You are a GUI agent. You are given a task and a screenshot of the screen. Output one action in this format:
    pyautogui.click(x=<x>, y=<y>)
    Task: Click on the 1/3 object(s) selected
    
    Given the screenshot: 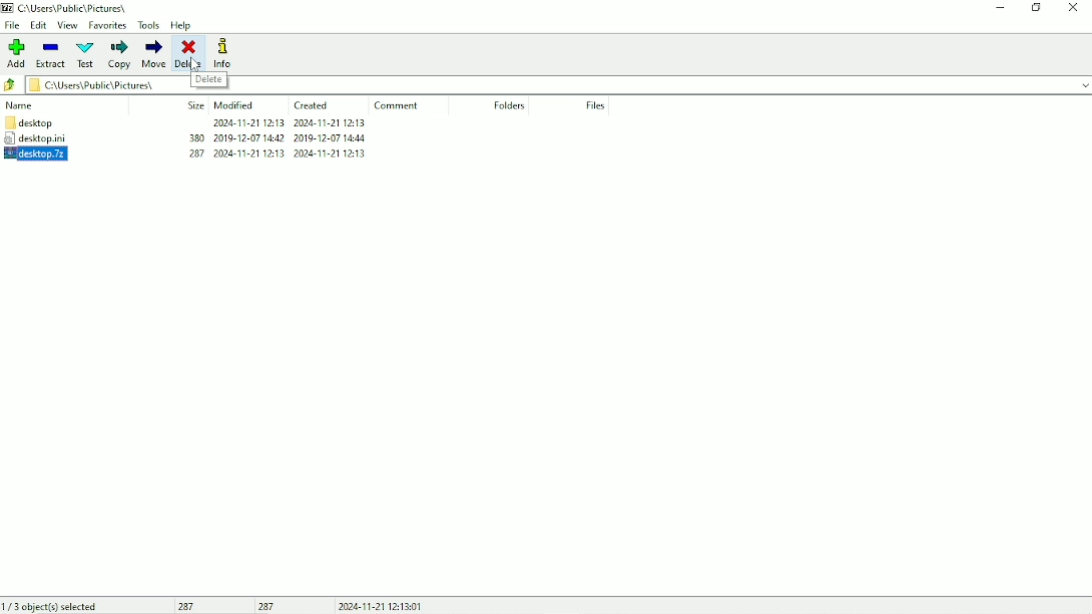 What is the action you would take?
    pyautogui.click(x=53, y=605)
    